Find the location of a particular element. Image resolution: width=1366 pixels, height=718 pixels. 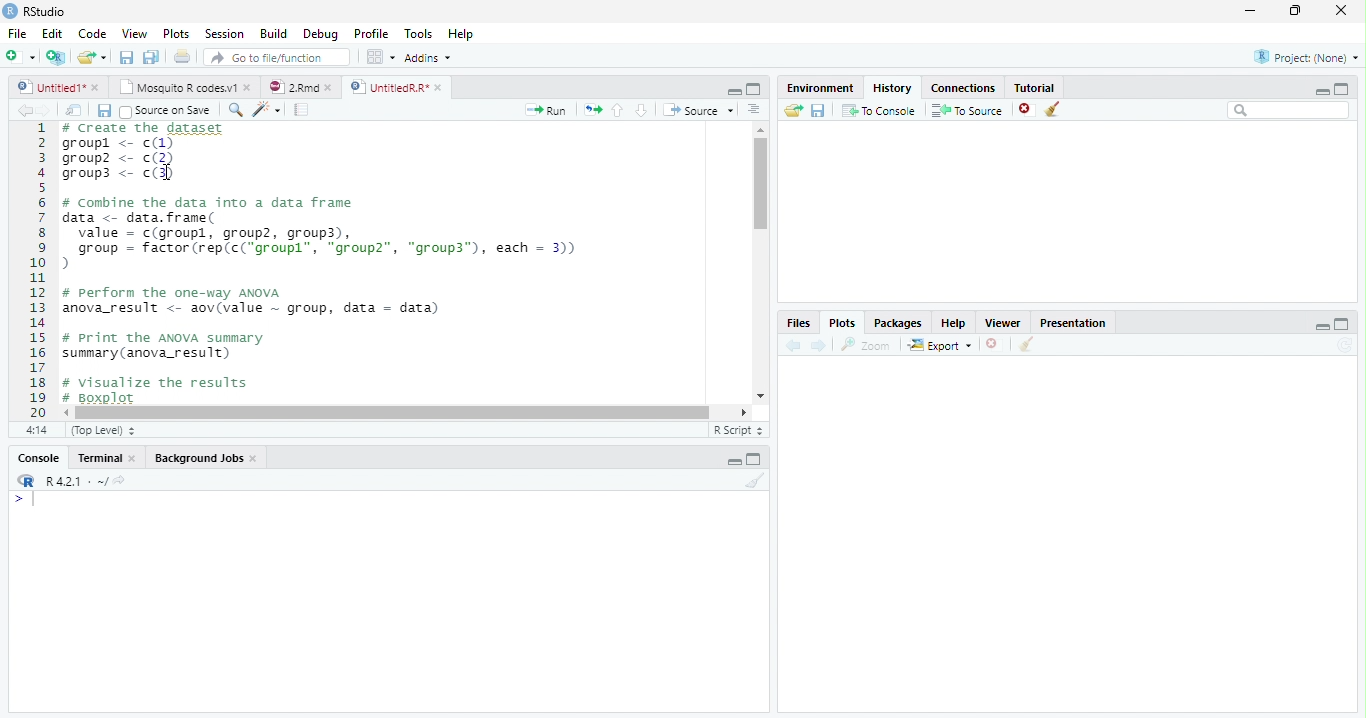

Environment is located at coordinates (820, 88).